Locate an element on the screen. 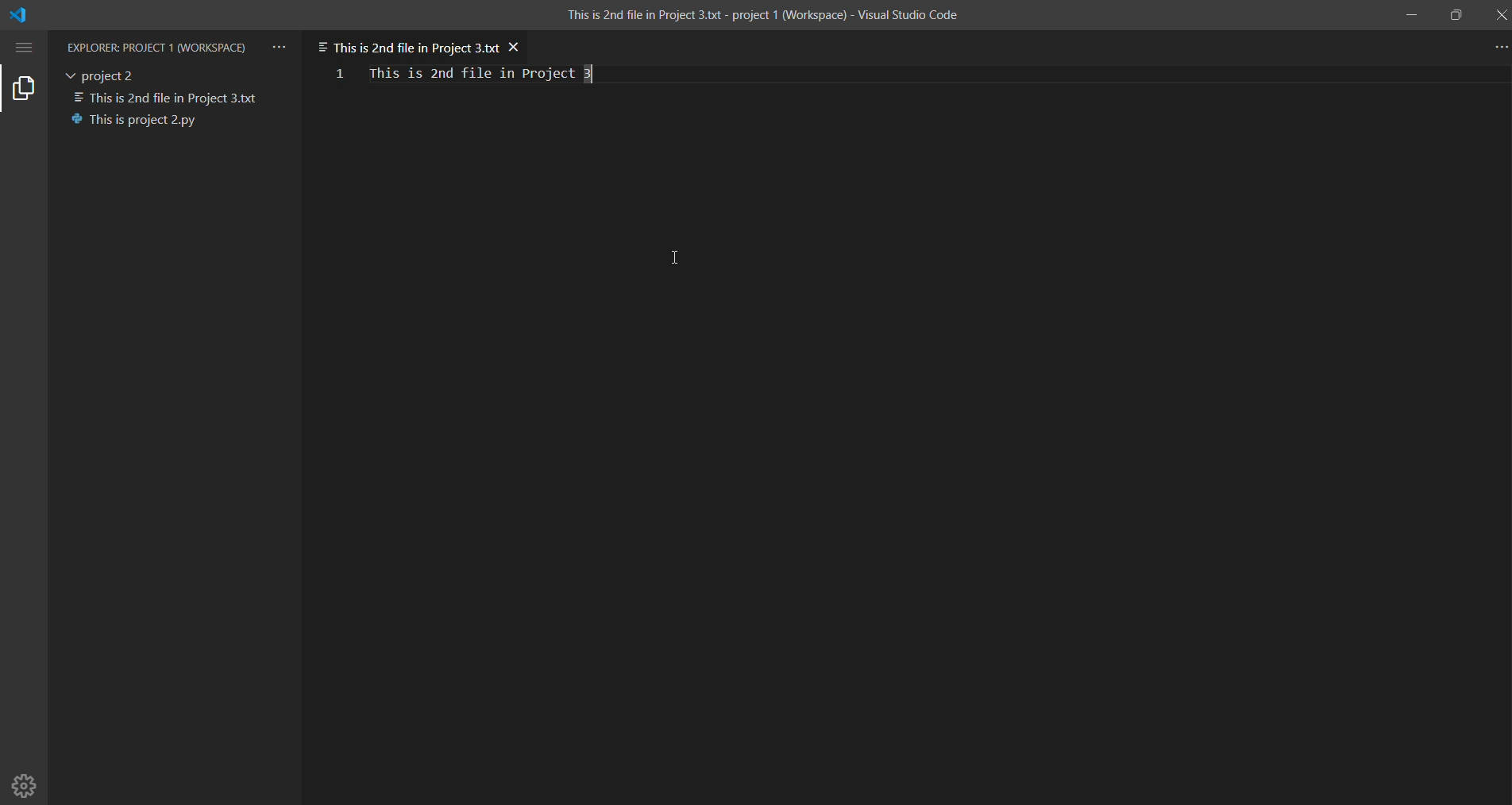  explorer workspace is located at coordinates (158, 45).